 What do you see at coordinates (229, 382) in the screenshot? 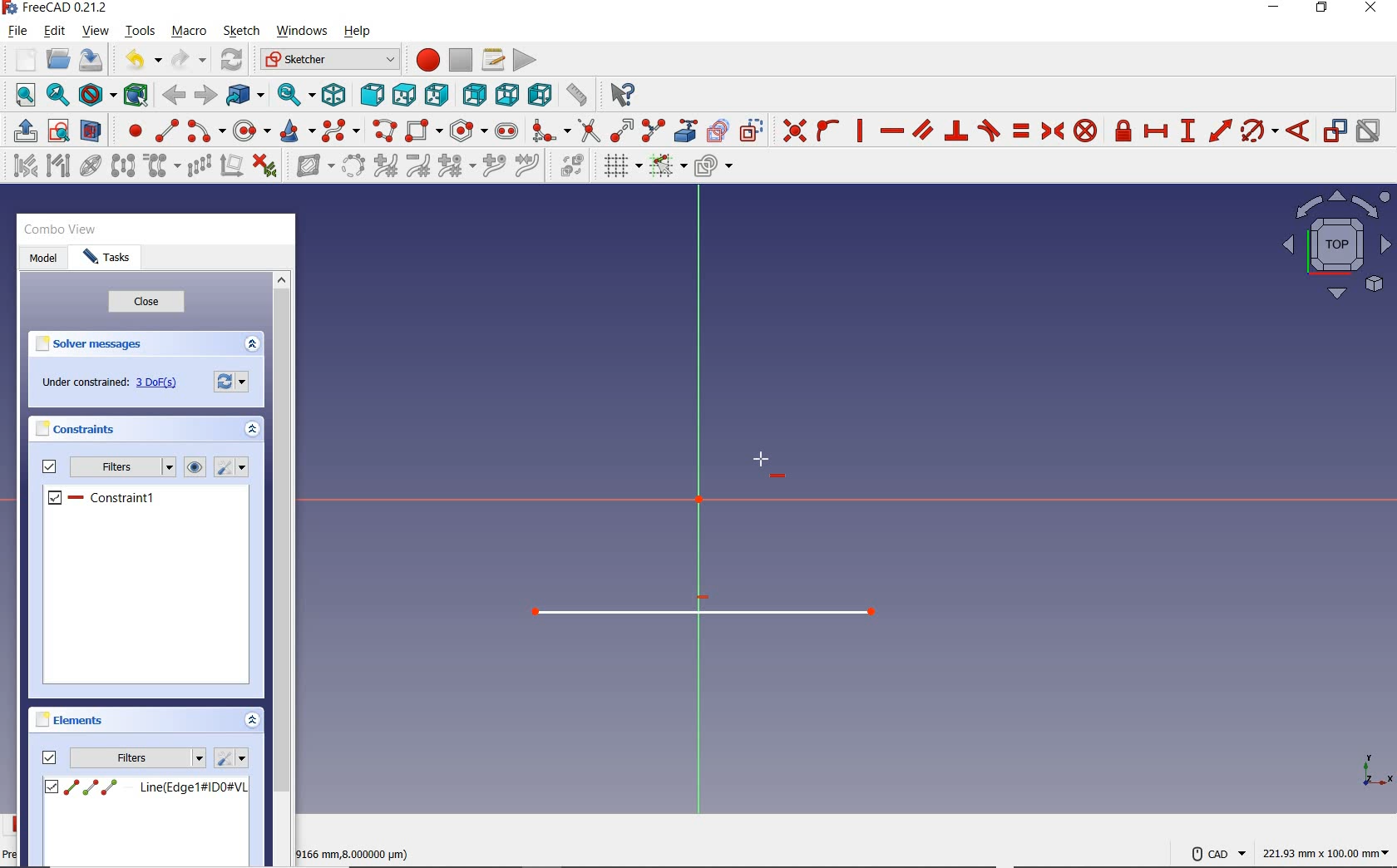
I see `SETTINGS` at bounding box center [229, 382].